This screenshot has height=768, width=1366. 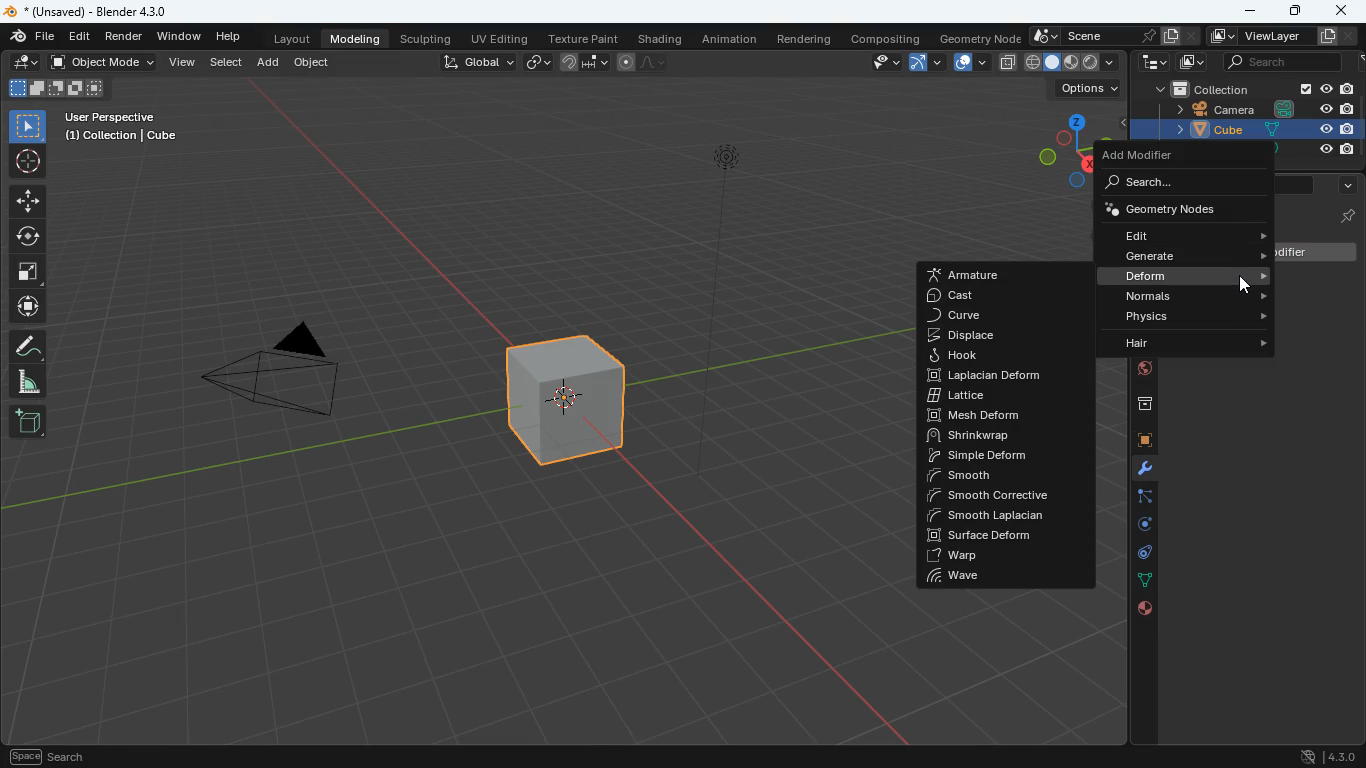 What do you see at coordinates (1296, 12) in the screenshot?
I see `maximize` at bounding box center [1296, 12].